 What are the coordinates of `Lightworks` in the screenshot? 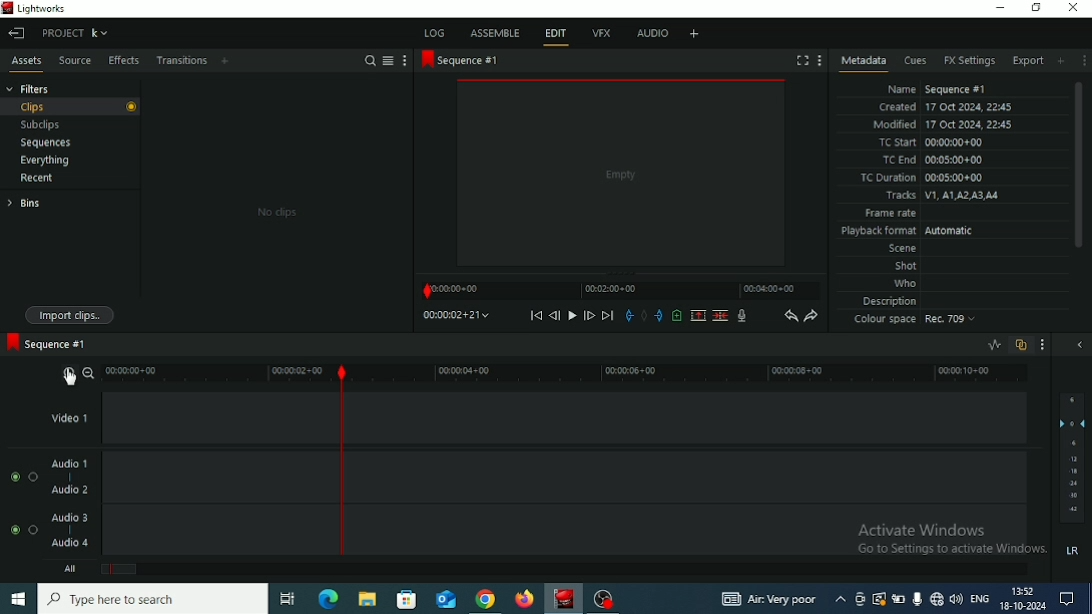 It's located at (42, 8).